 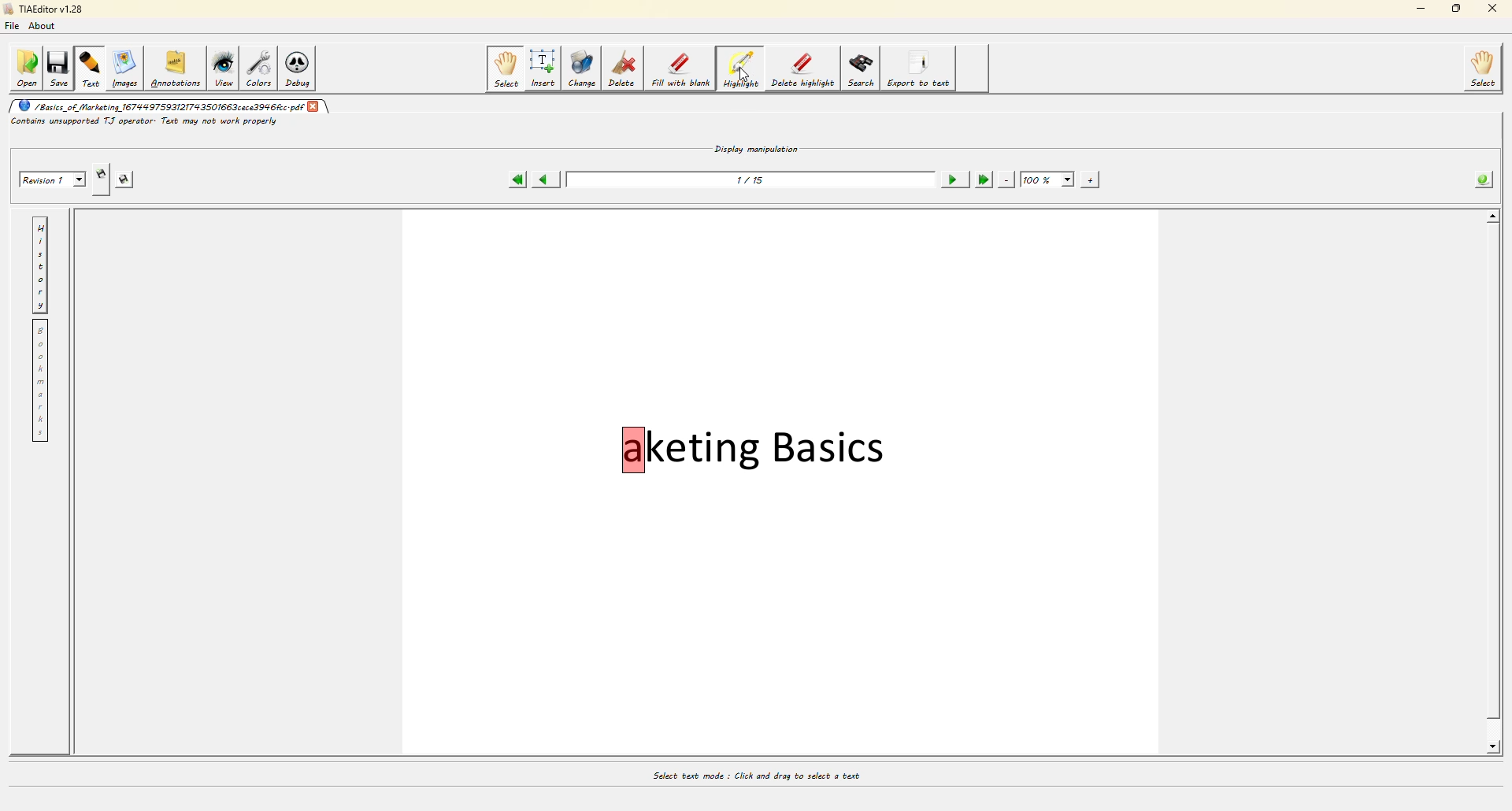 I want to click on history, so click(x=39, y=267).